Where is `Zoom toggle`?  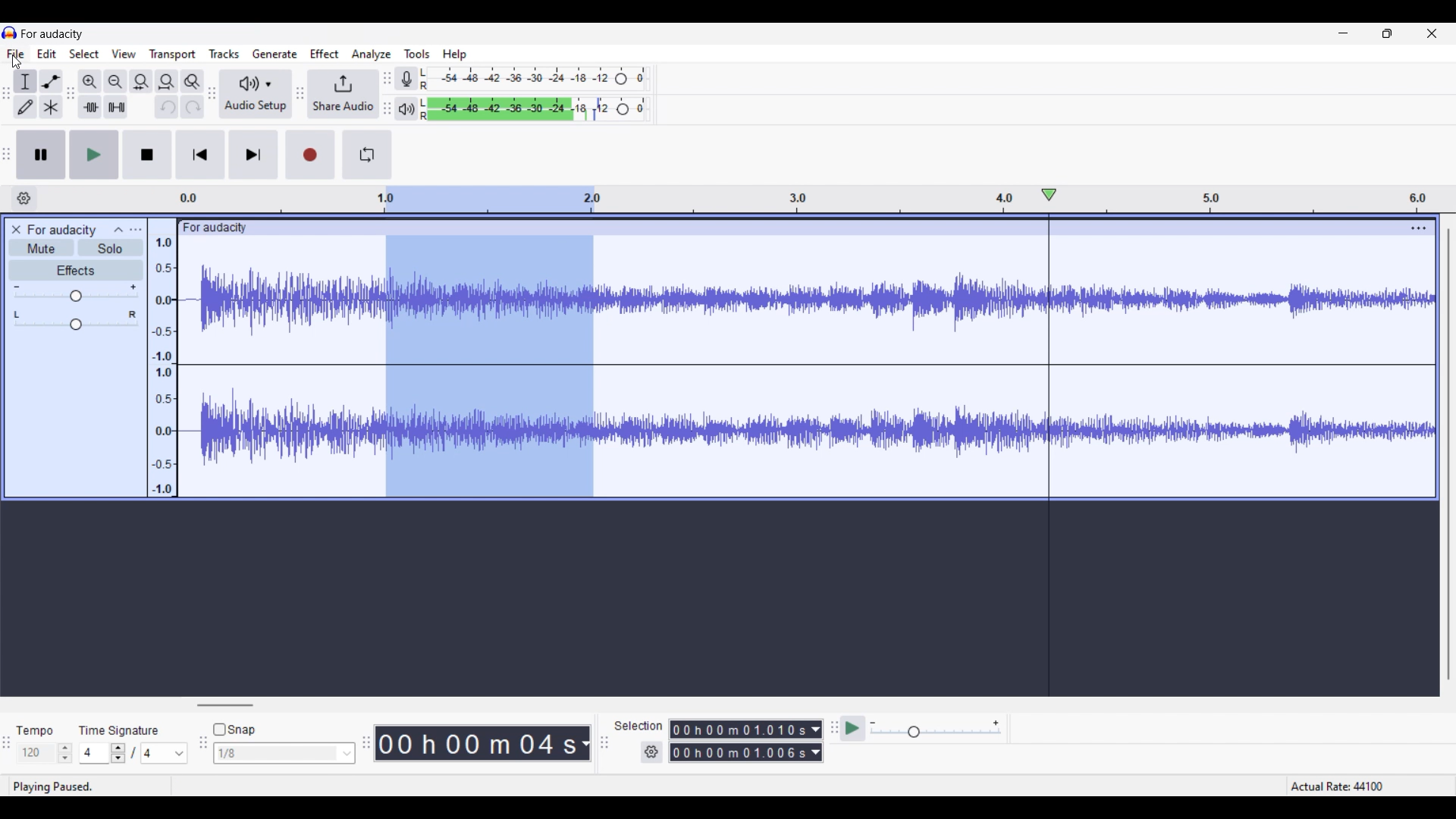 Zoom toggle is located at coordinates (193, 82).